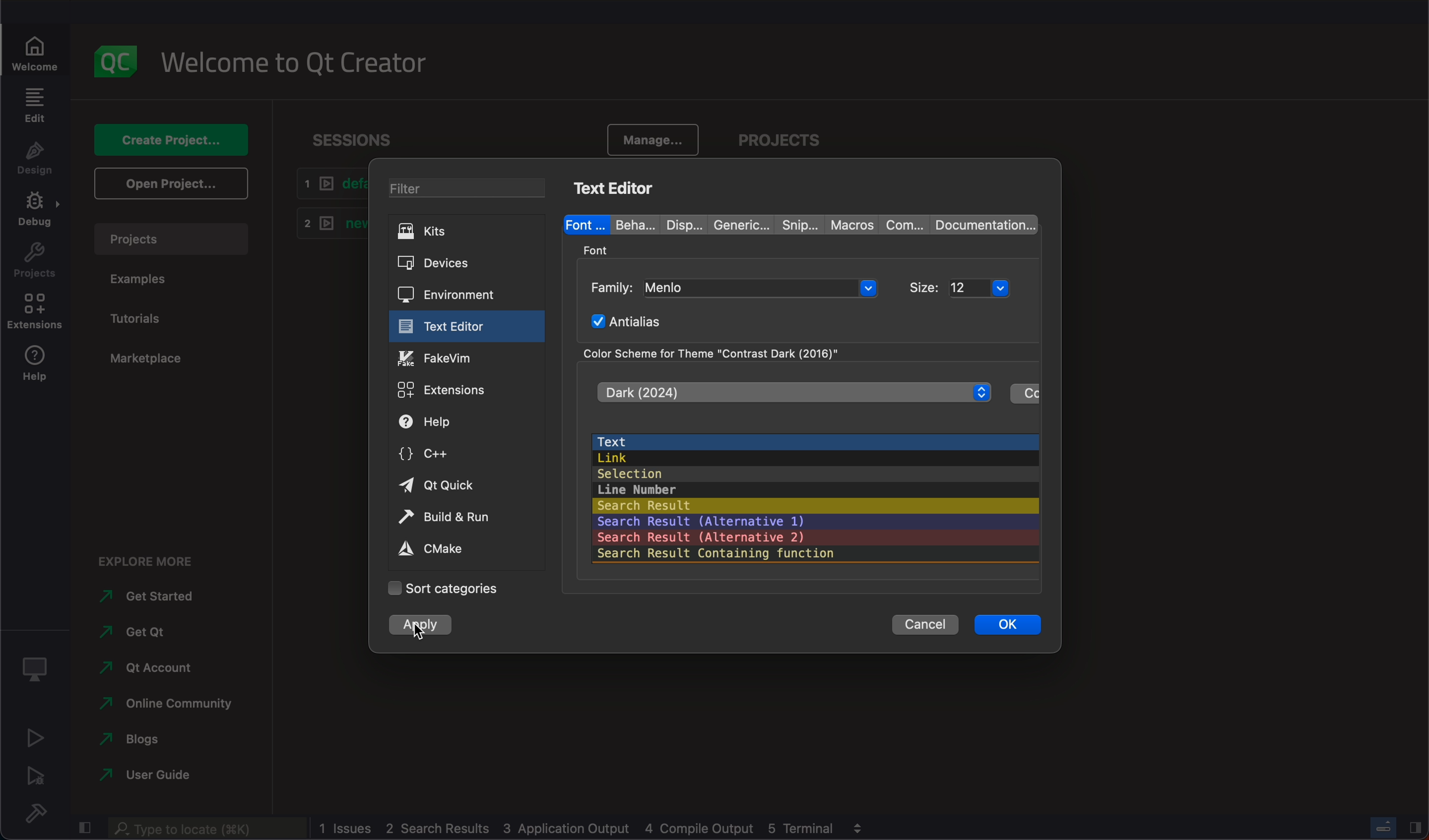  What do you see at coordinates (464, 424) in the screenshot?
I see `help` at bounding box center [464, 424].